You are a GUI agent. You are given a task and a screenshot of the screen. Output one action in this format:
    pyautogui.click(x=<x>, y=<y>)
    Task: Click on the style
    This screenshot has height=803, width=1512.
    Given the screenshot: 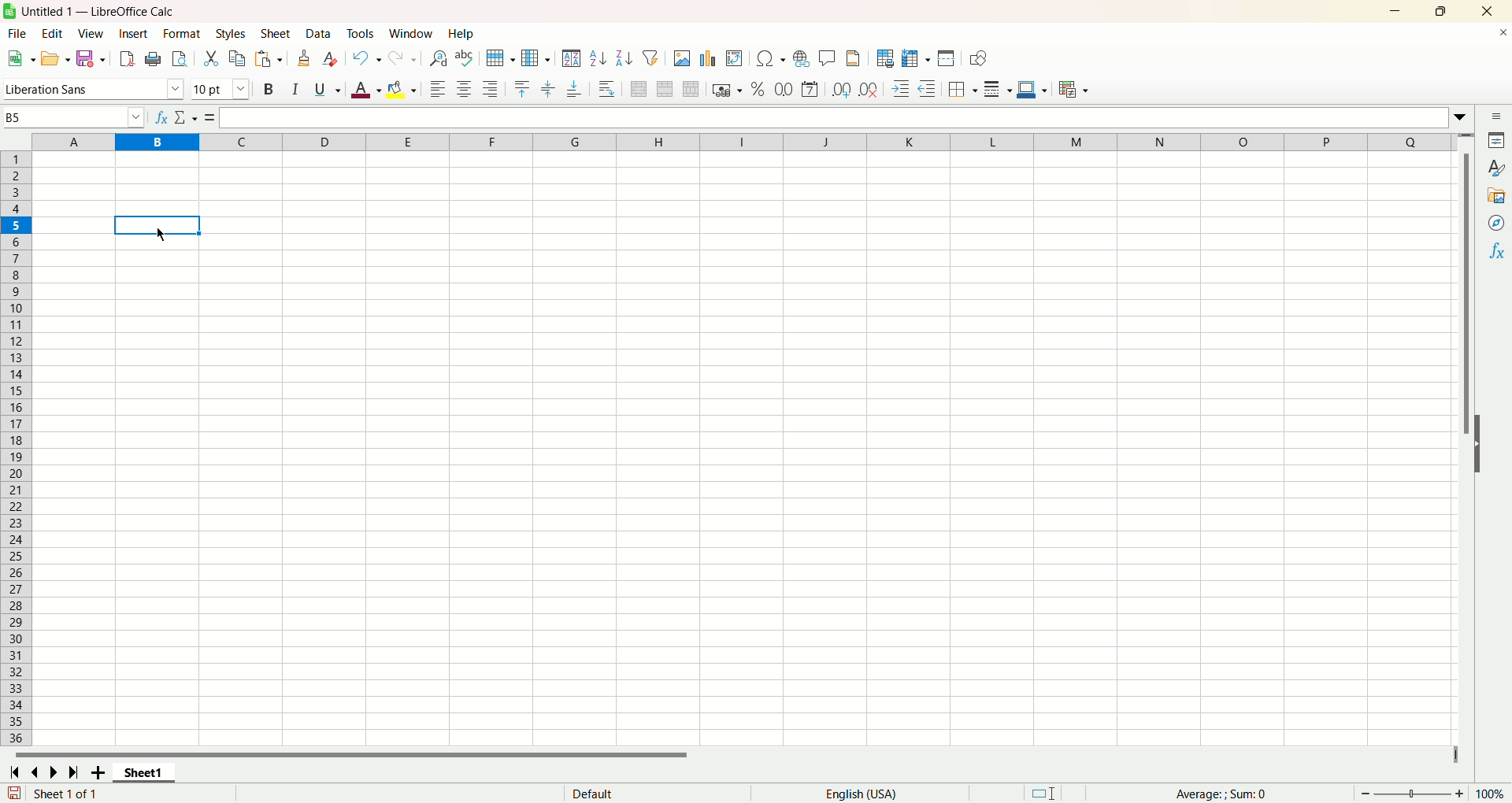 What is the action you would take?
    pyautogui.click(x=1492, y=167)
    